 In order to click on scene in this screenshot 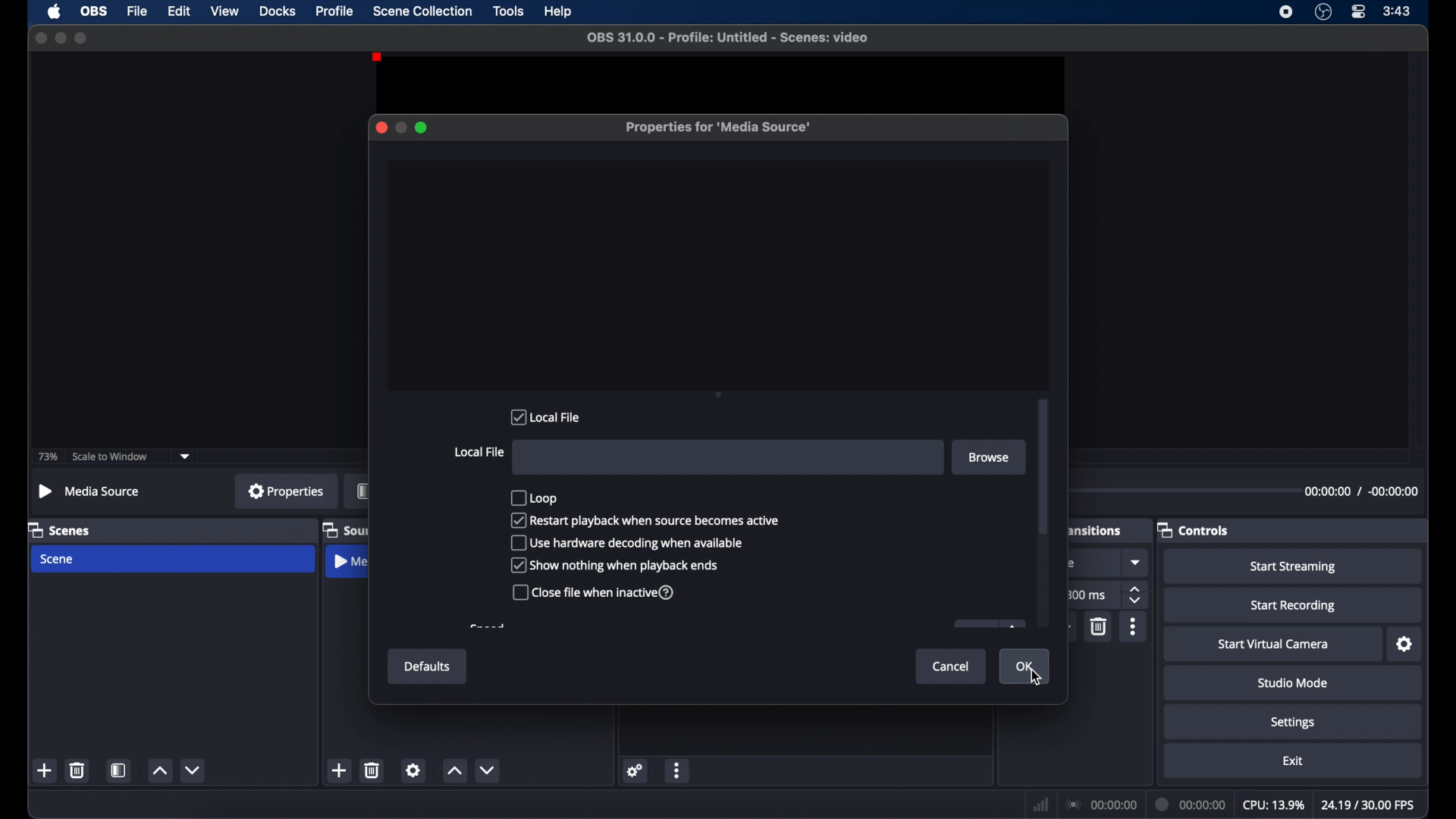, I will do `click(58, 560)`.